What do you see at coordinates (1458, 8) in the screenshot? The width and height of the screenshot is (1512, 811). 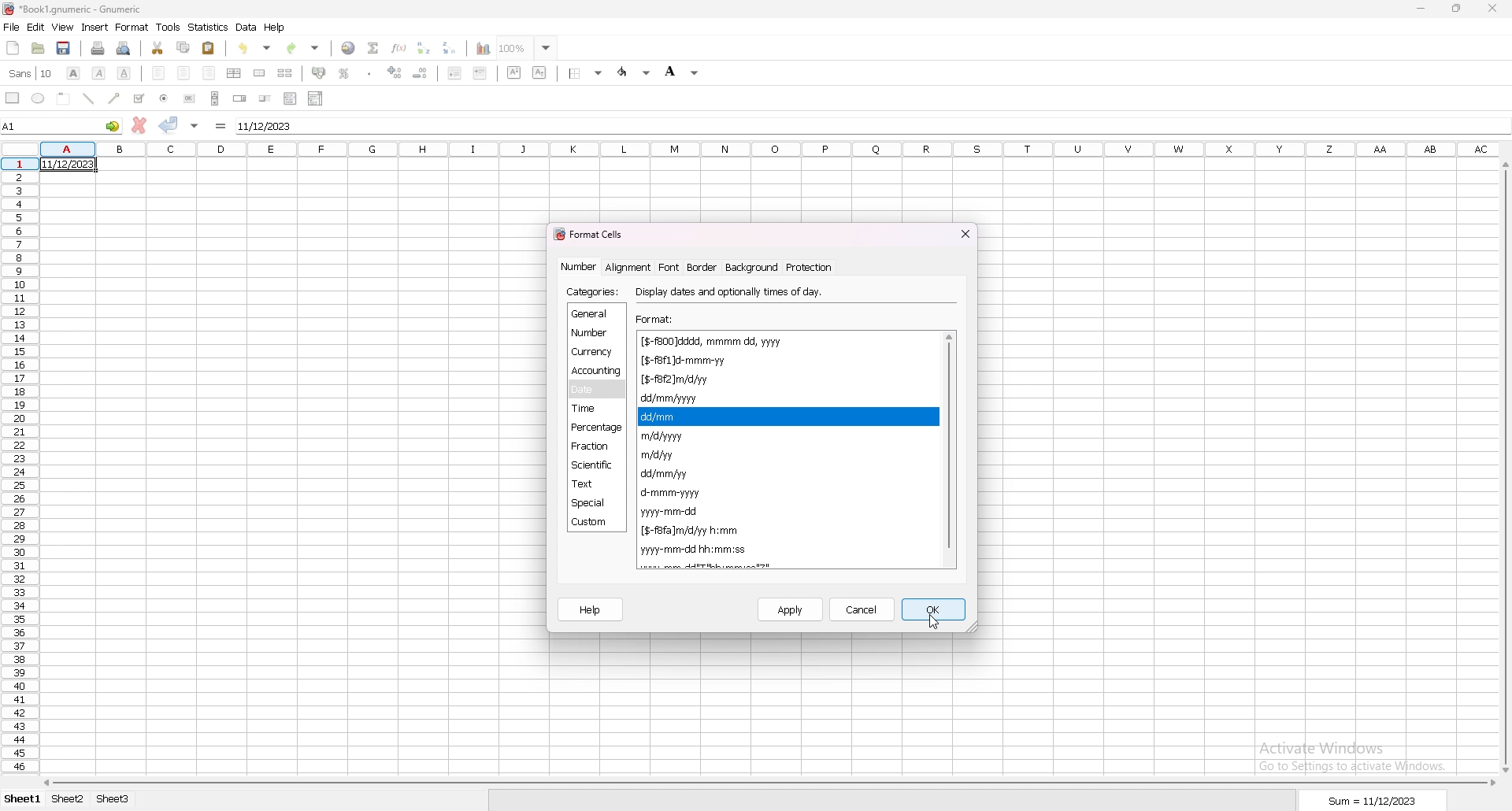 I see `resize` at bounding box center [1458, 8].